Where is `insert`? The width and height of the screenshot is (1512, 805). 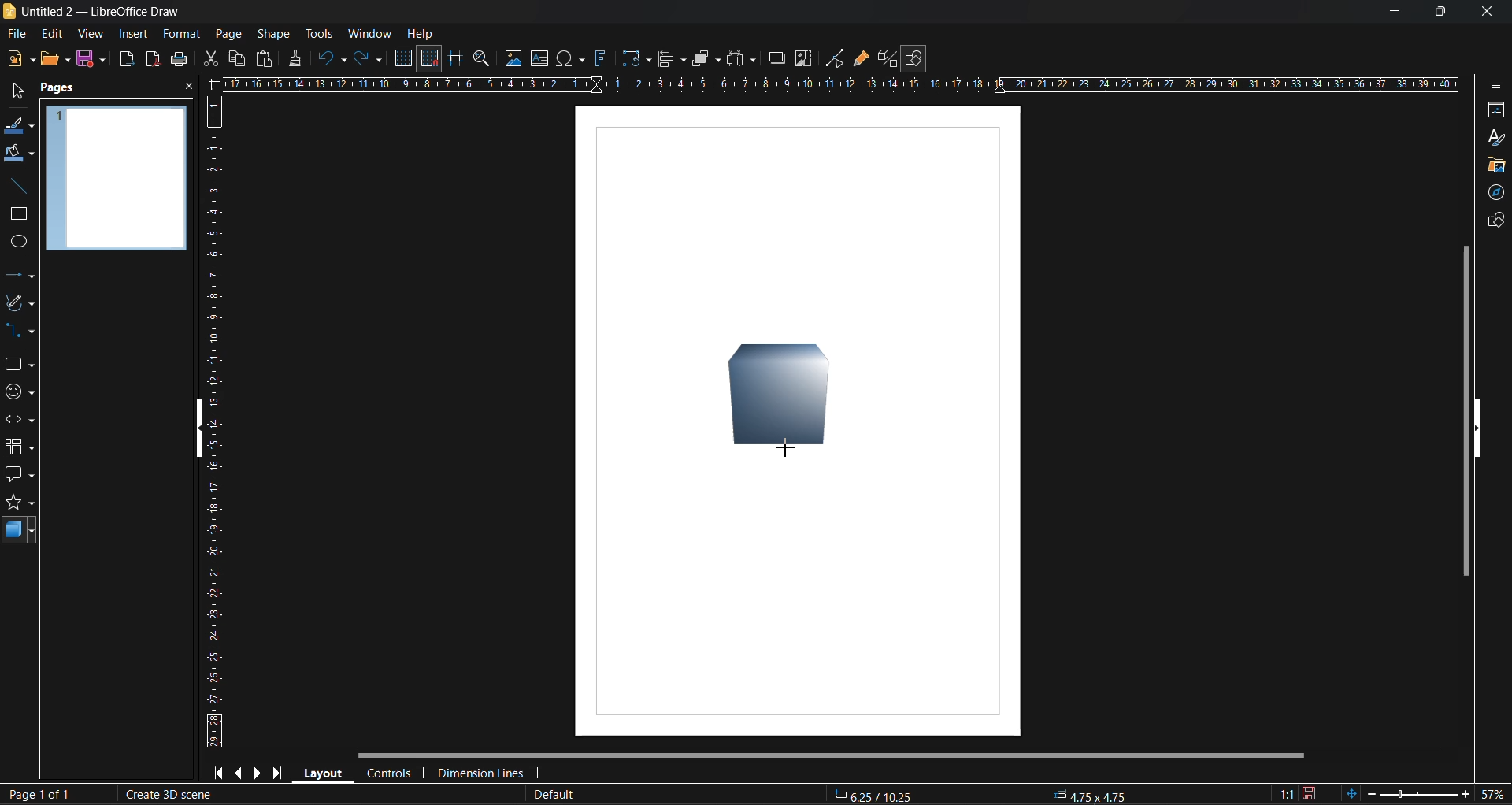 insert is located at coordinates (133, 33).